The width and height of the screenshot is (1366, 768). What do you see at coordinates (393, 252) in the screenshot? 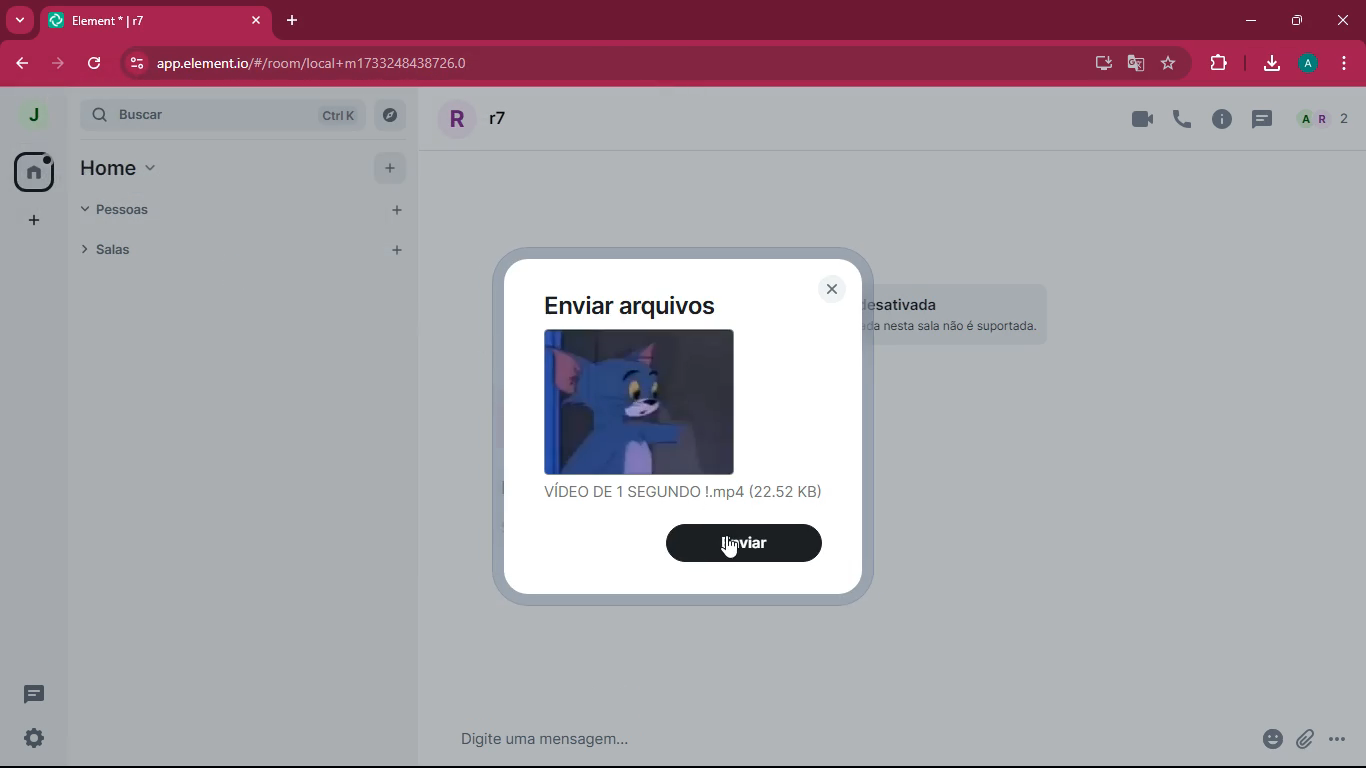
I see `add roon` at bounding box center [393, 252].